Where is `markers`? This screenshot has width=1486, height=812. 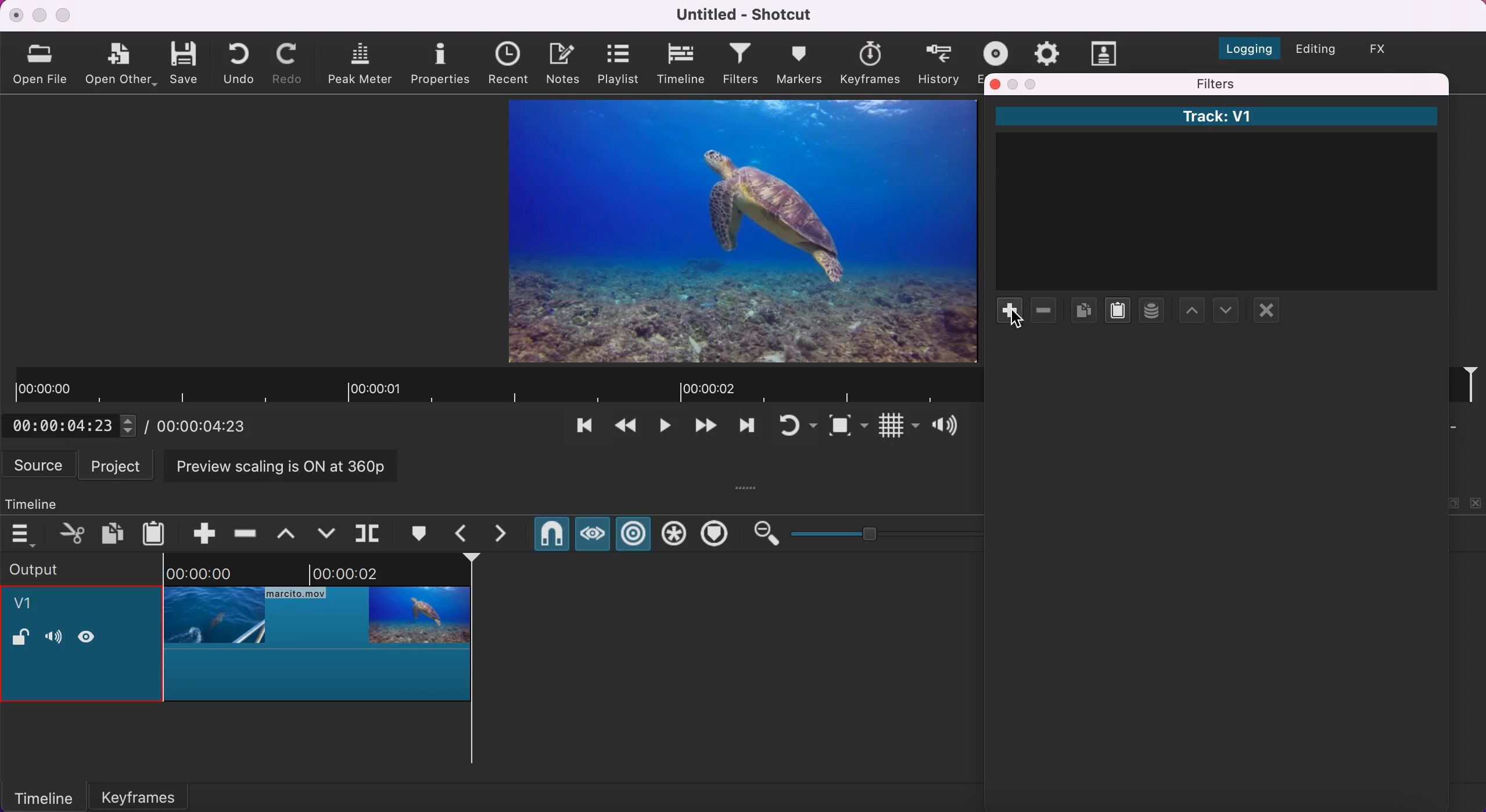 markers is located at coordinates (799, 63).